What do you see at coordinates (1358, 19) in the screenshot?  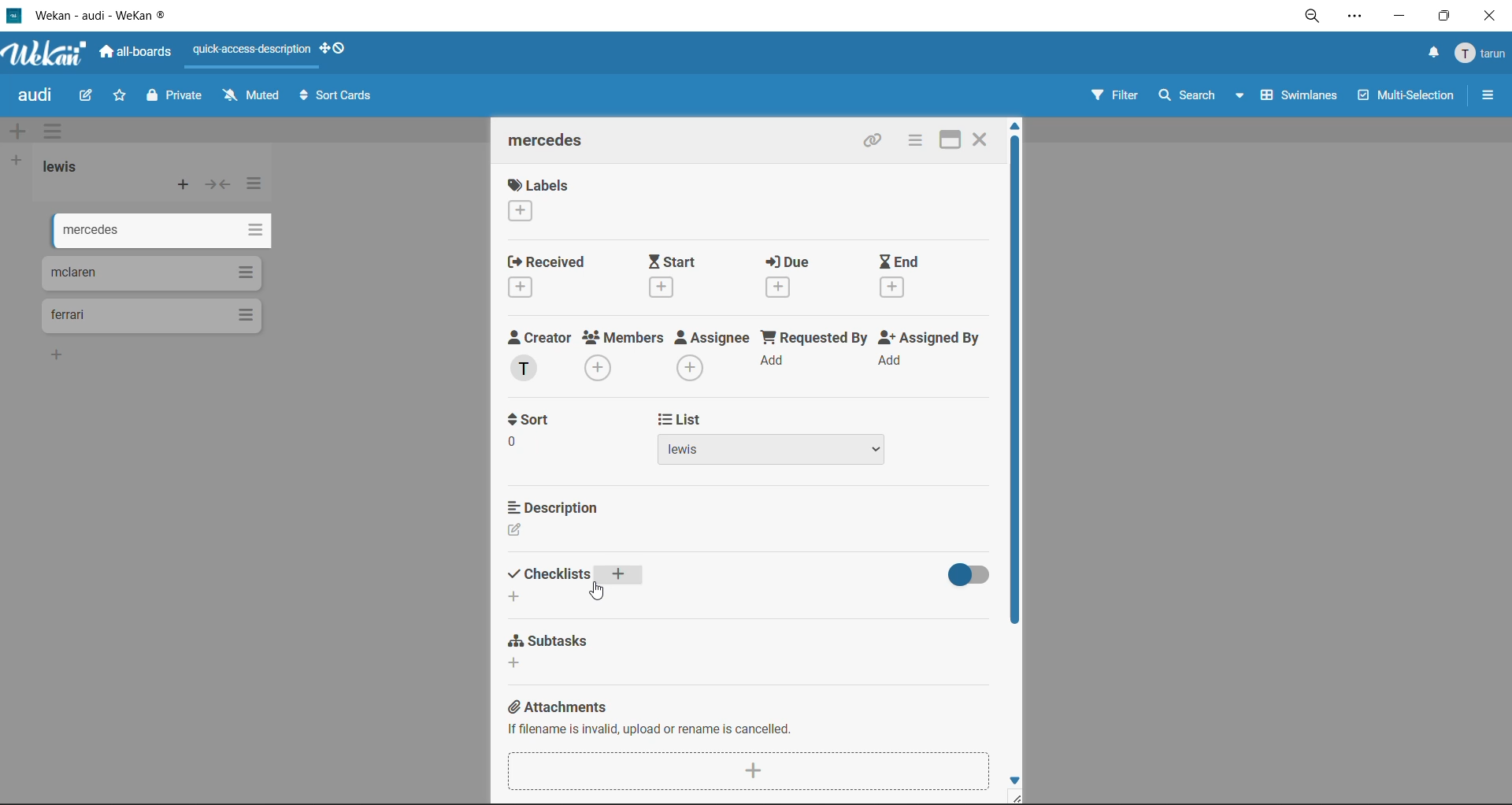 I see `settings` at bounding box center [1358, 19].